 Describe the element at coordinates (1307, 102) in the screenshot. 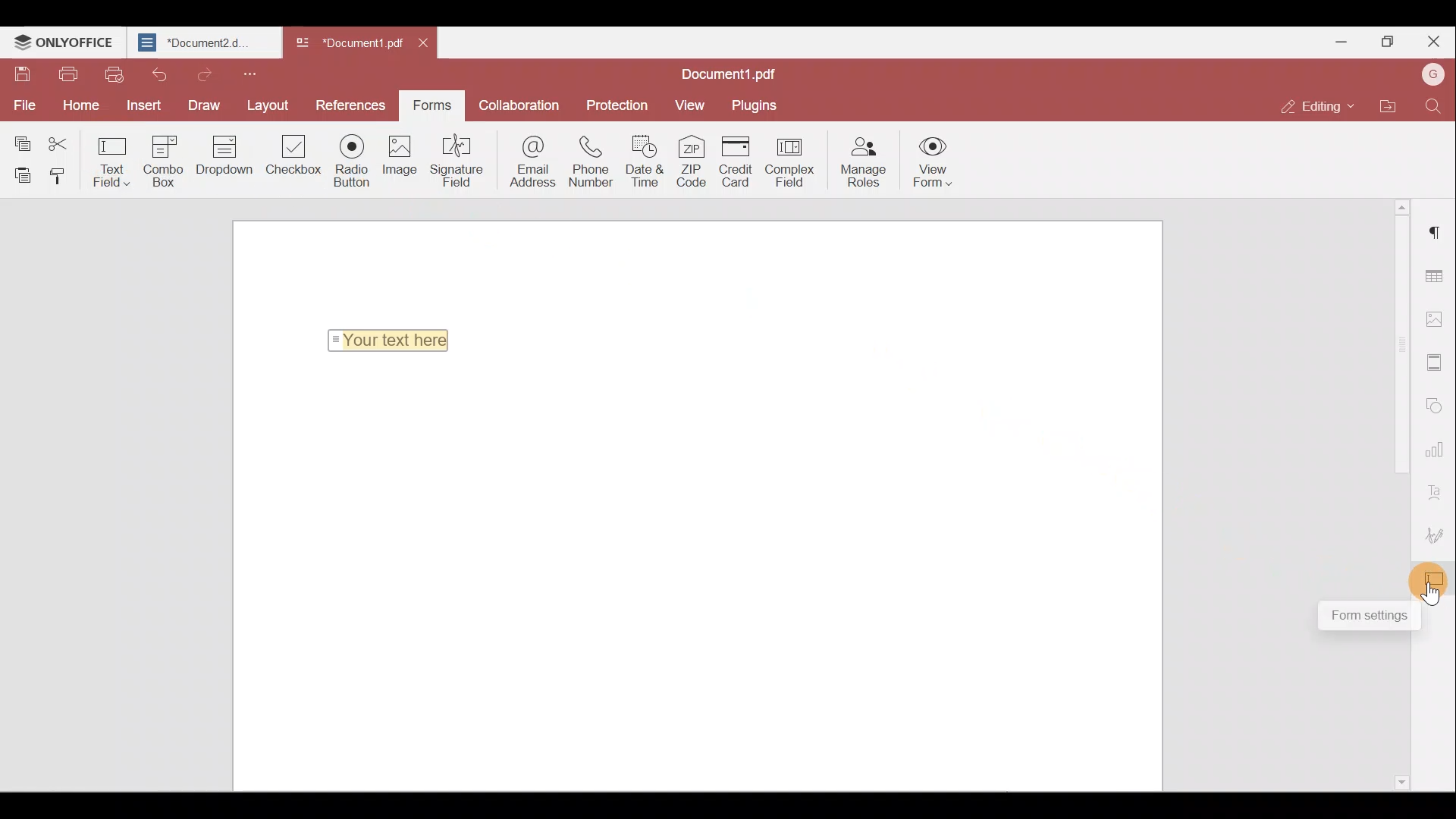

I see `Editing mode` at that location.